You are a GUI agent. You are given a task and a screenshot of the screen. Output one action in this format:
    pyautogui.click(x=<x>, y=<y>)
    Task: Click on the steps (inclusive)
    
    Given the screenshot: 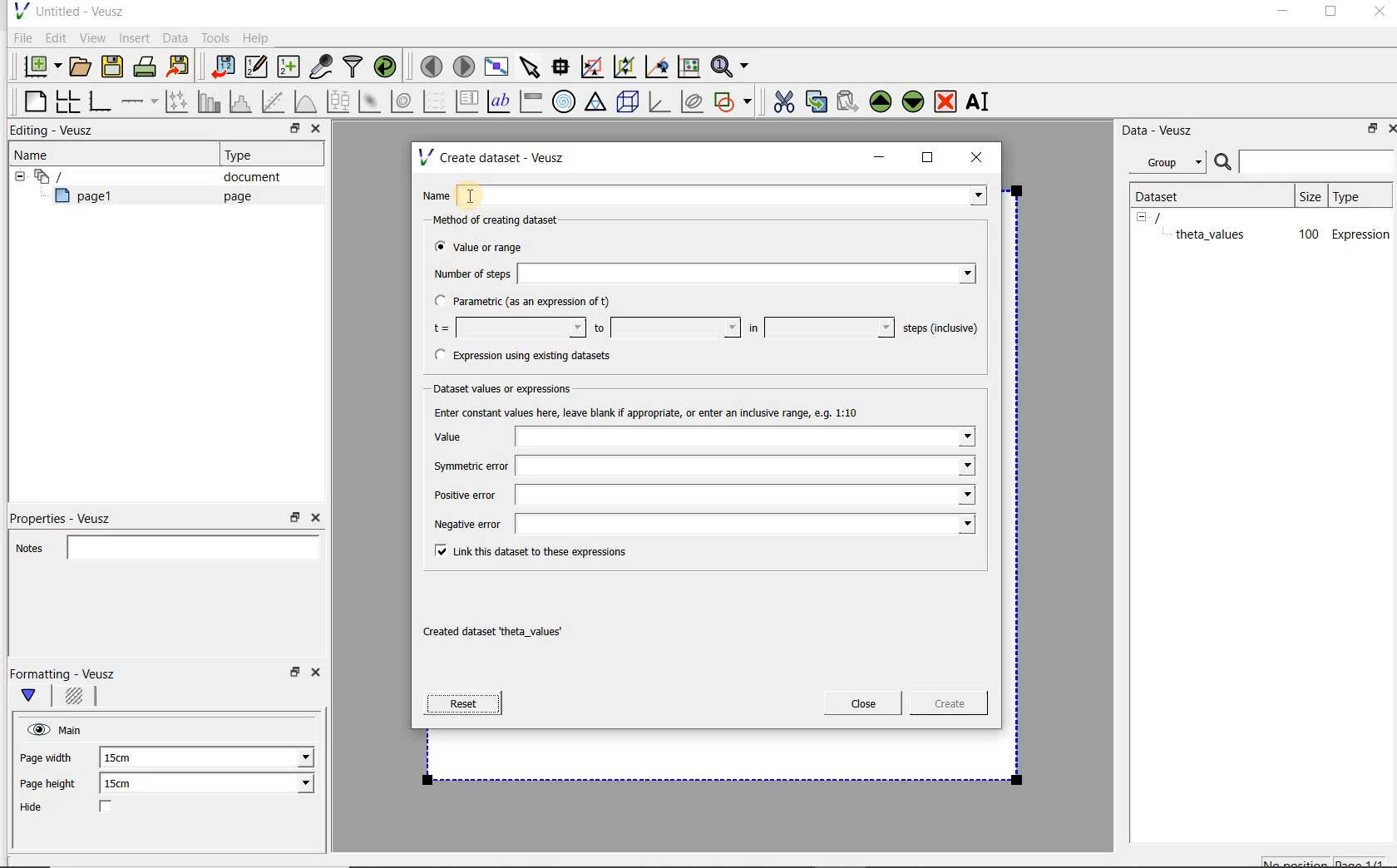 What is the action you would take?
    pyautogui.click(x=941, y=329)
    